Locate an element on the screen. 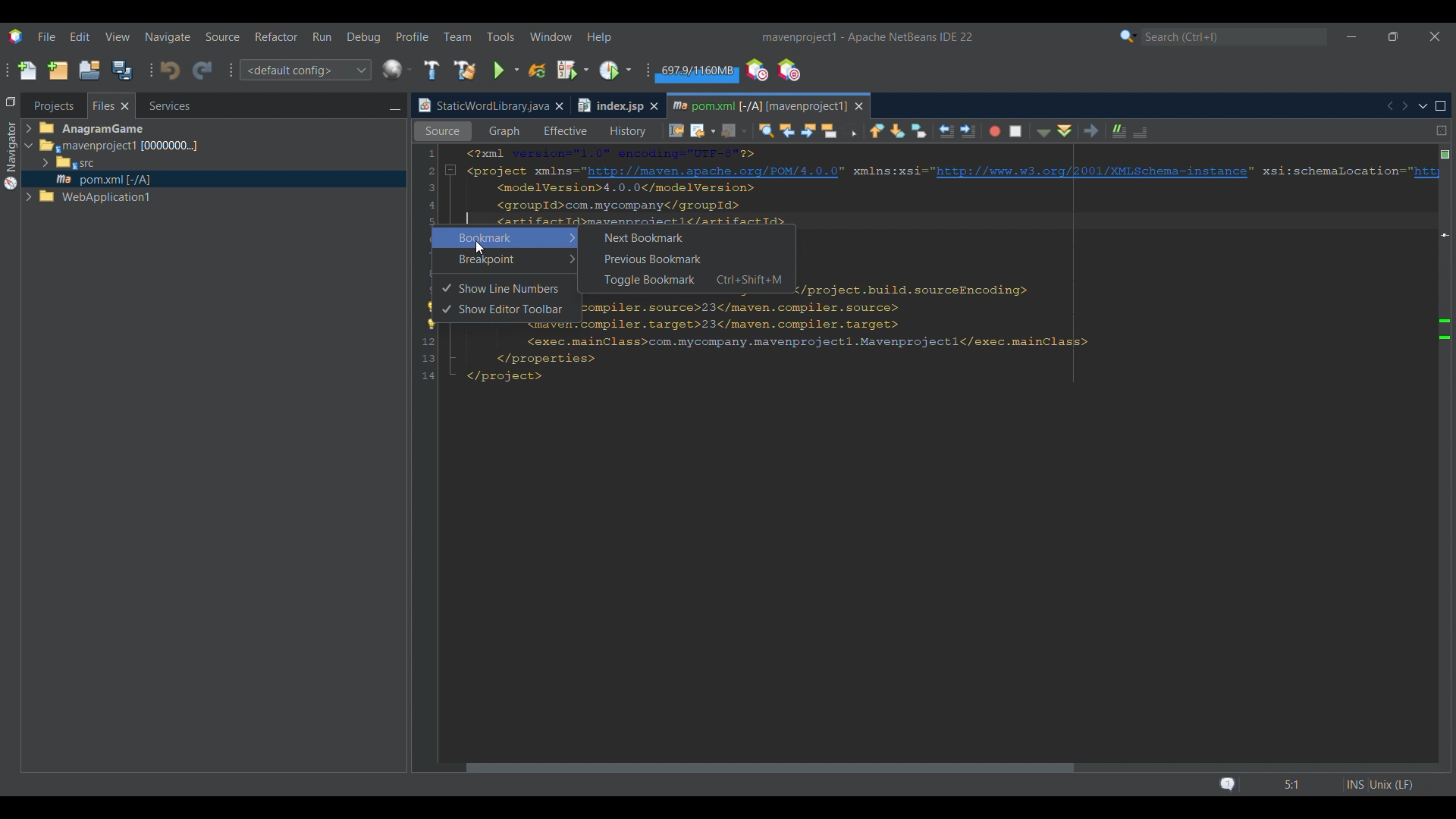 The width and height of the screenshot is (1456, 819). Clean and build main project is located at coordinates (465, 71).